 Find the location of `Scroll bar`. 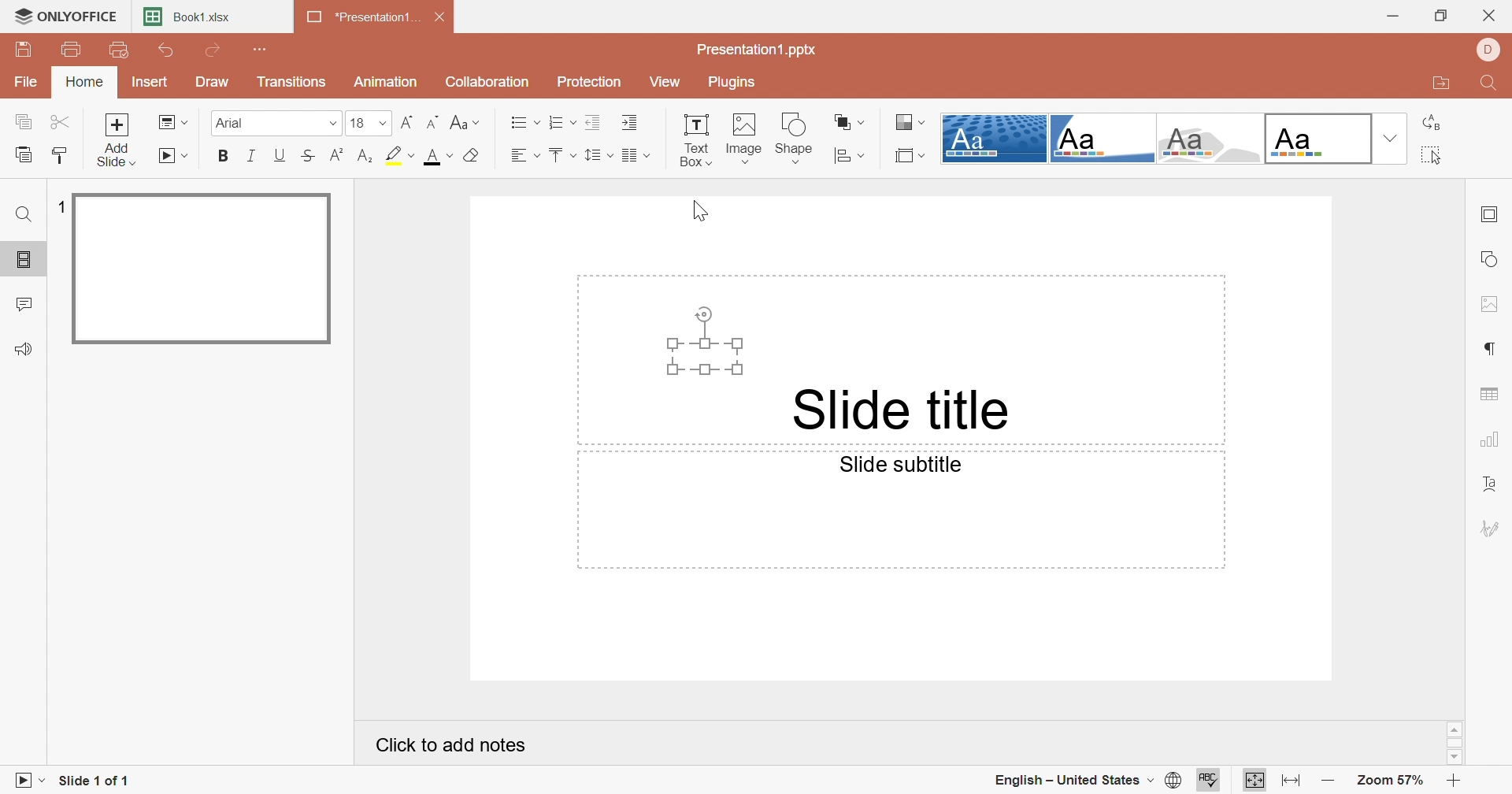

Scroll bar is located at coordinates (1456, 744).